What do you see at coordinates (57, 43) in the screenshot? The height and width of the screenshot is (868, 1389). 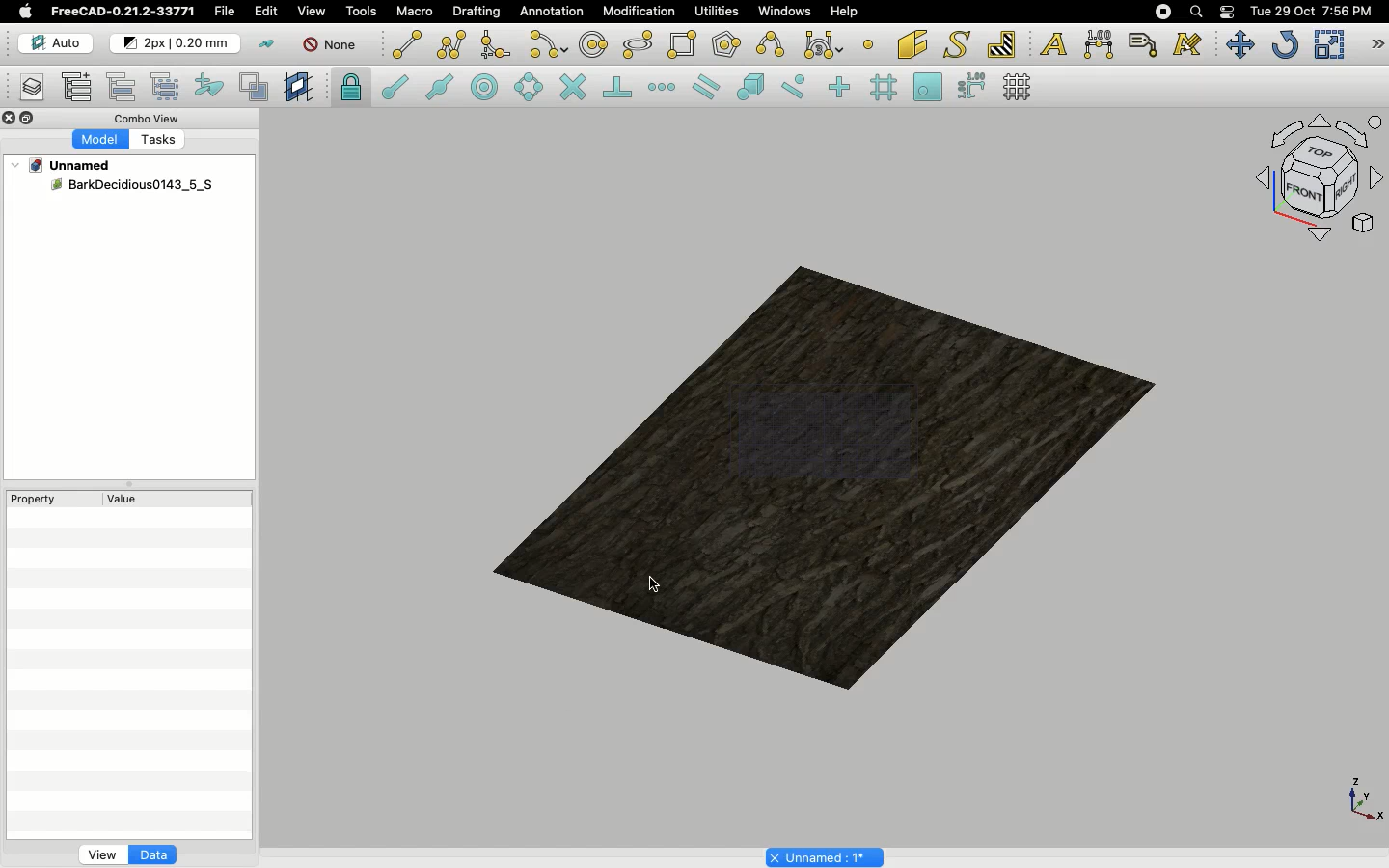 I see `Auto` at bounding box center [57, 43].